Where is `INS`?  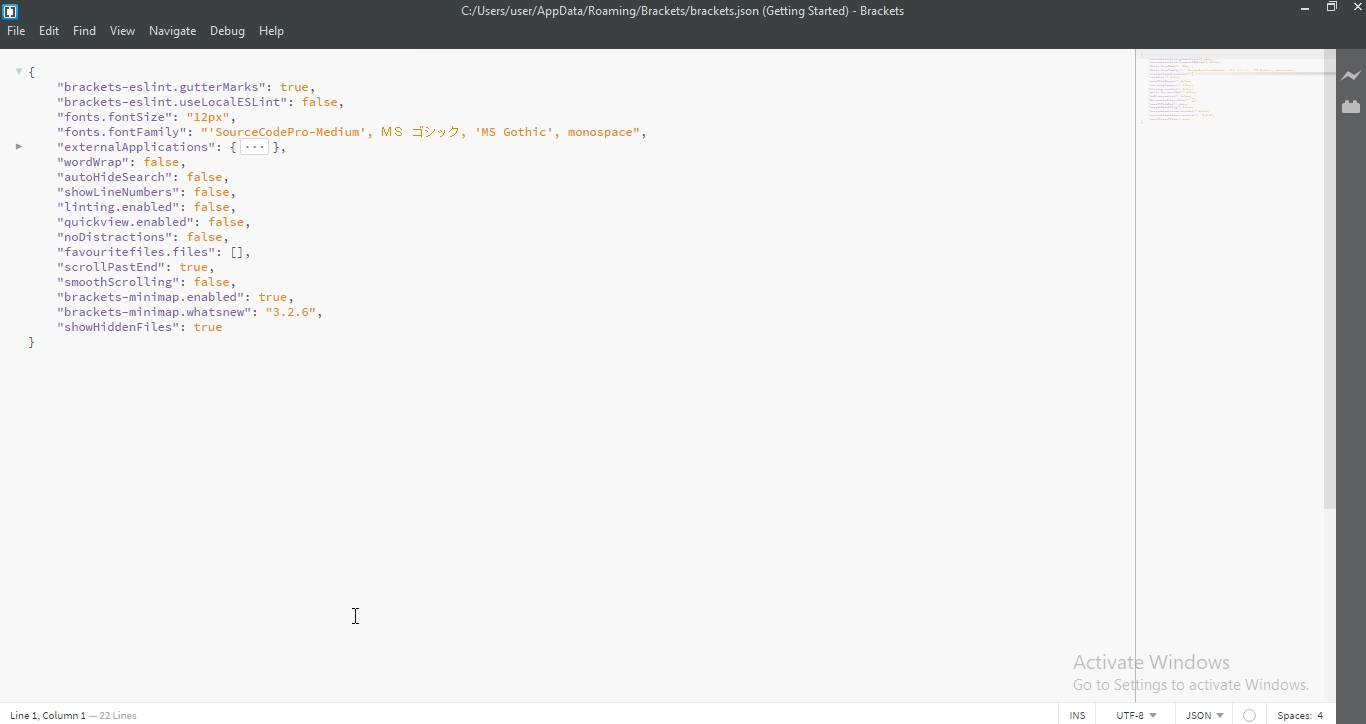
INS is located at coordinates (1082, 715).